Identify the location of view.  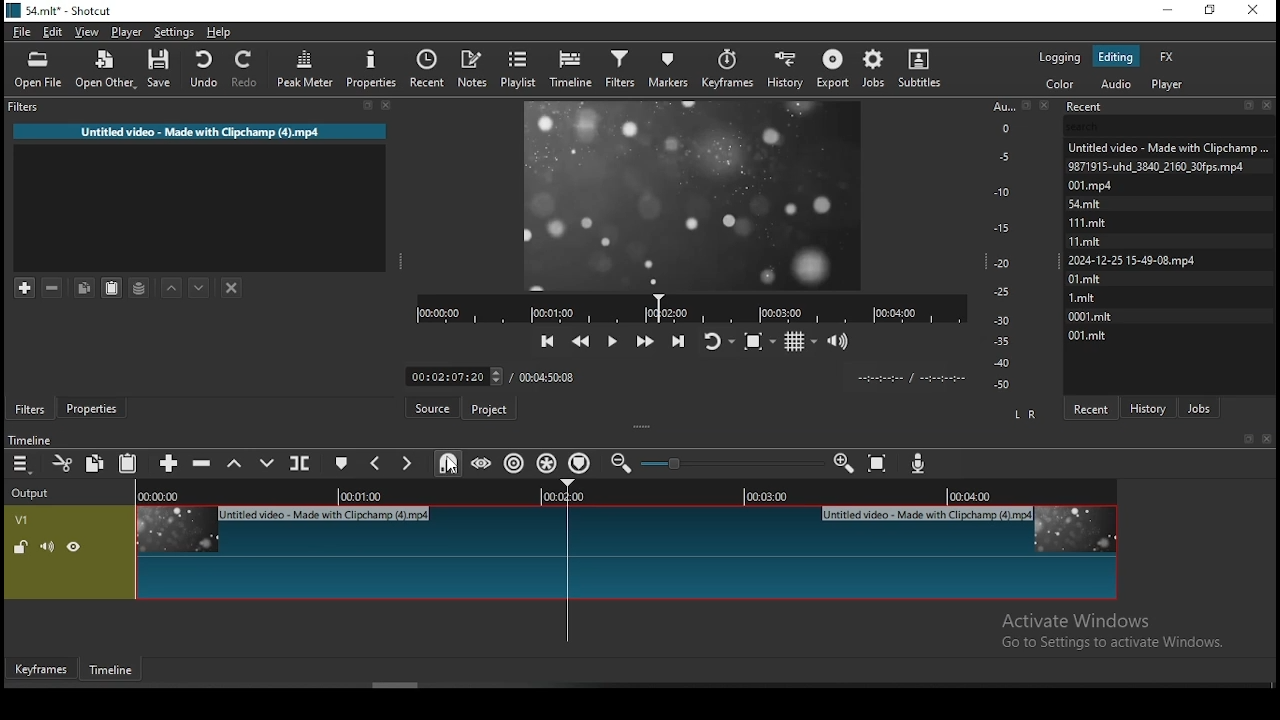
(87, 32).